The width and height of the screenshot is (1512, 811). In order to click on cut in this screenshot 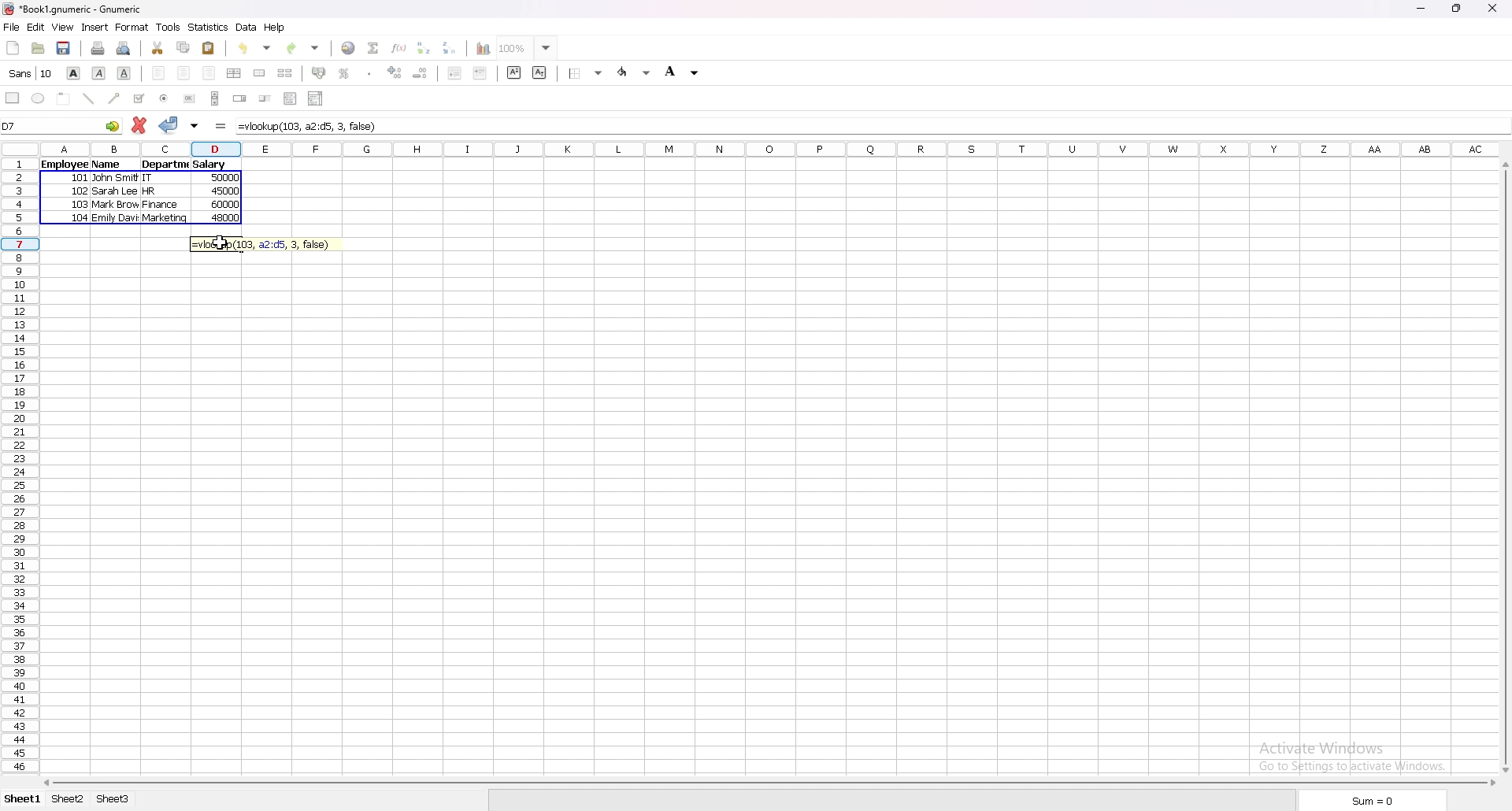, I will do `click(157, 47)`.